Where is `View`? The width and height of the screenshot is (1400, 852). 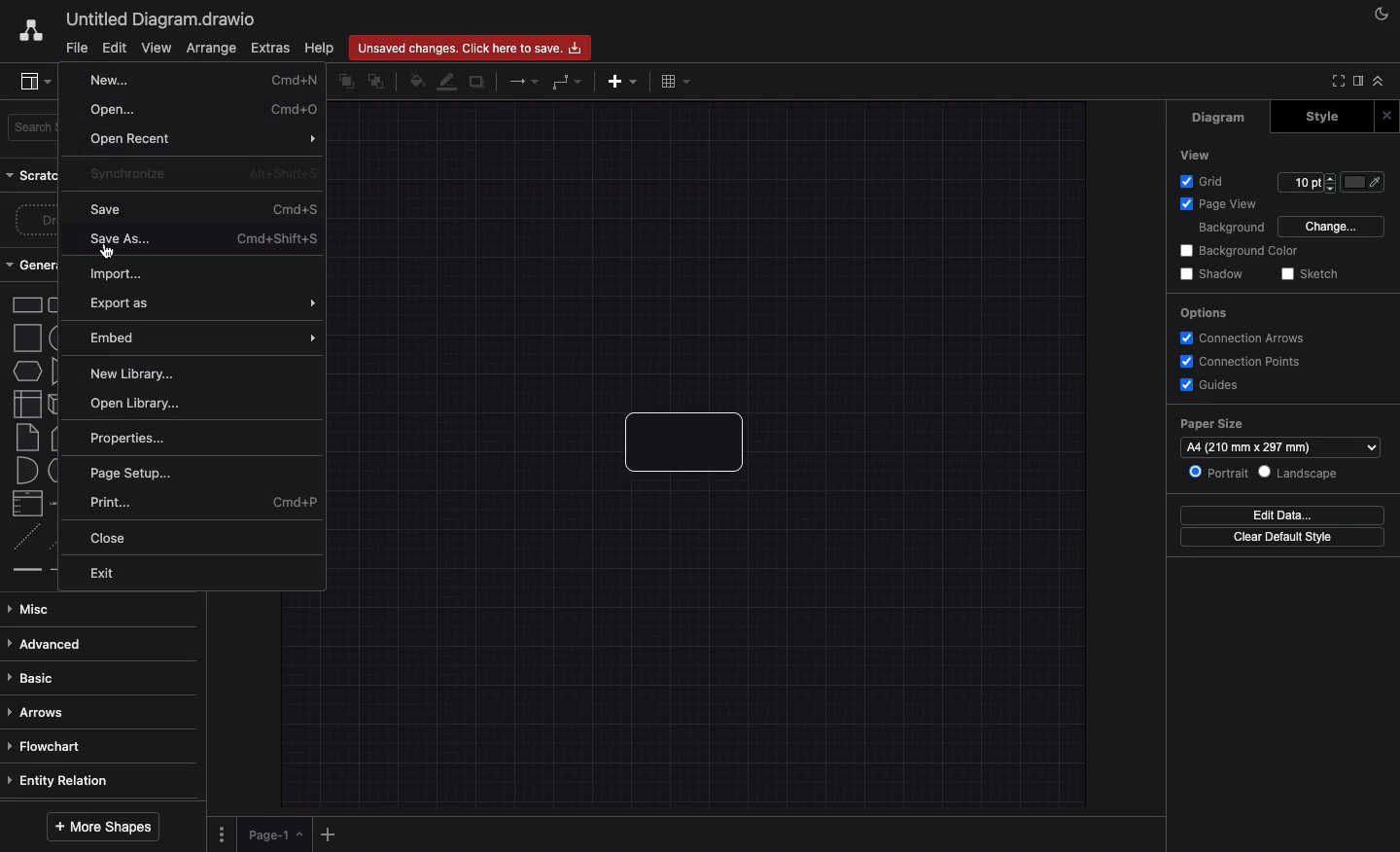
View is located at coordinates (1197, 154).